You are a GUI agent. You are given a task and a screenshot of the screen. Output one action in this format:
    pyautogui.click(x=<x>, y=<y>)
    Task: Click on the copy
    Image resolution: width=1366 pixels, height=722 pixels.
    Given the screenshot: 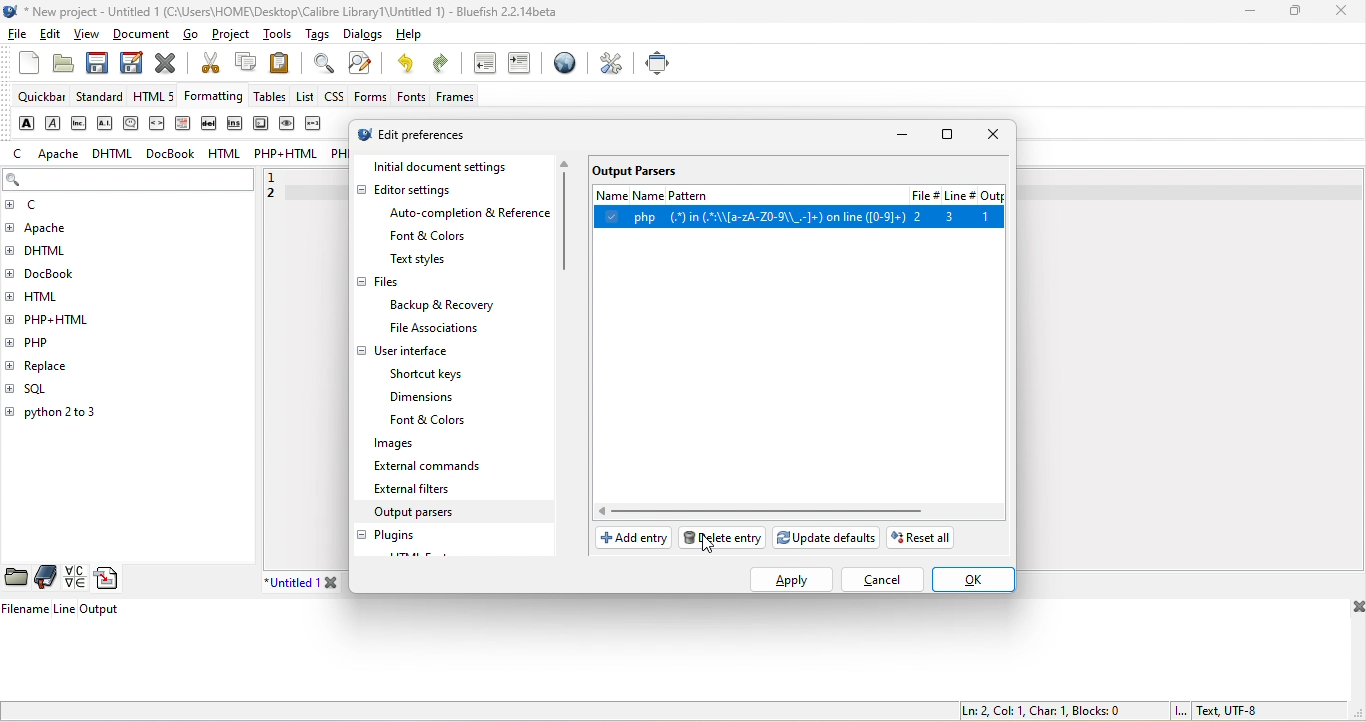 What is the action you would take?
    pyautogui.click(x=245, y=64)
    